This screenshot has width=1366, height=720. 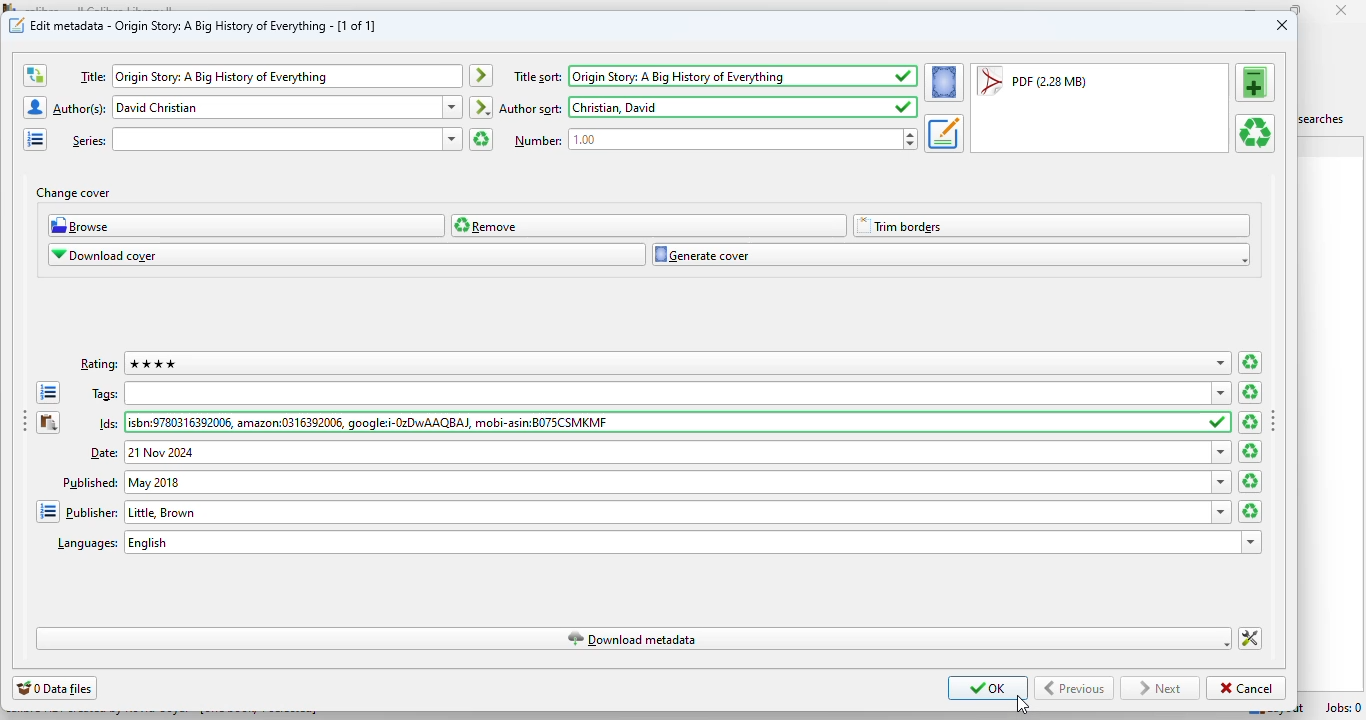 What do you see at coordinates (1221, 364) in the screenshot?
I see `dropdown` at bounding box center [1221, 364].